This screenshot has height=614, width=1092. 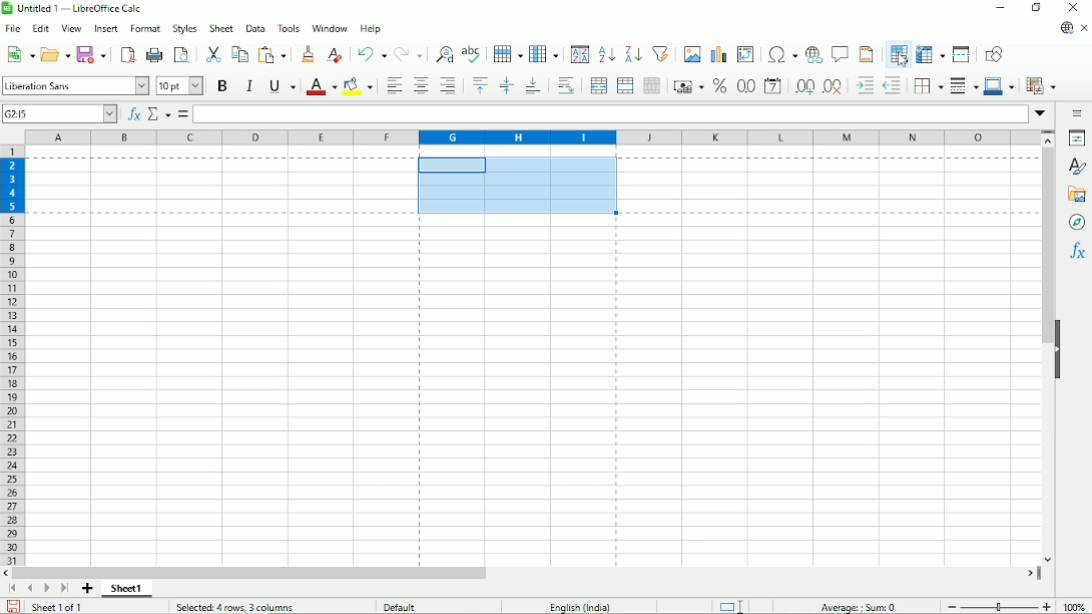 I want to click on Tools, so click(x=290, y=28).